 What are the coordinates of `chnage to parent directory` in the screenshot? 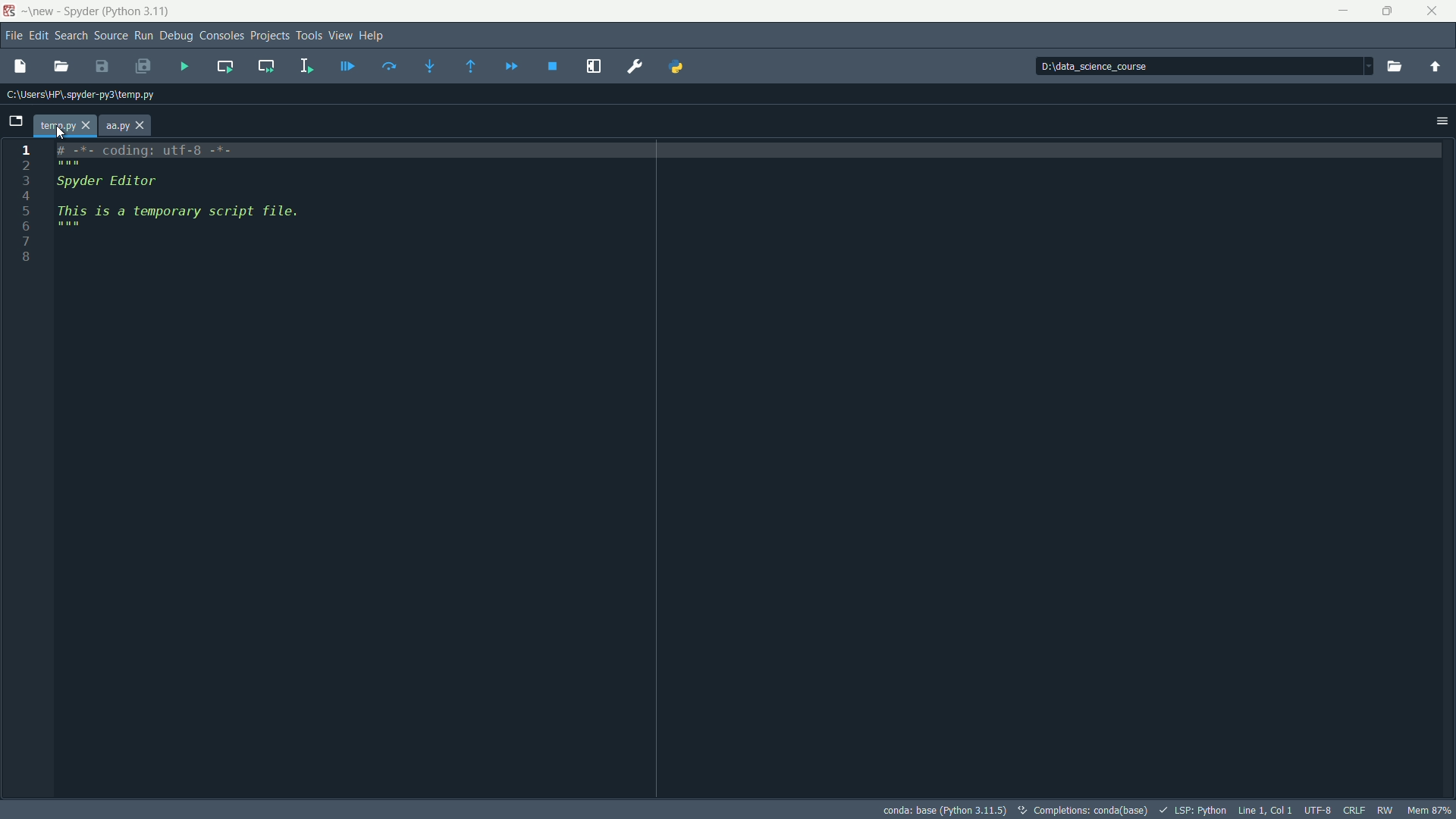 It's located at (1434, 65).